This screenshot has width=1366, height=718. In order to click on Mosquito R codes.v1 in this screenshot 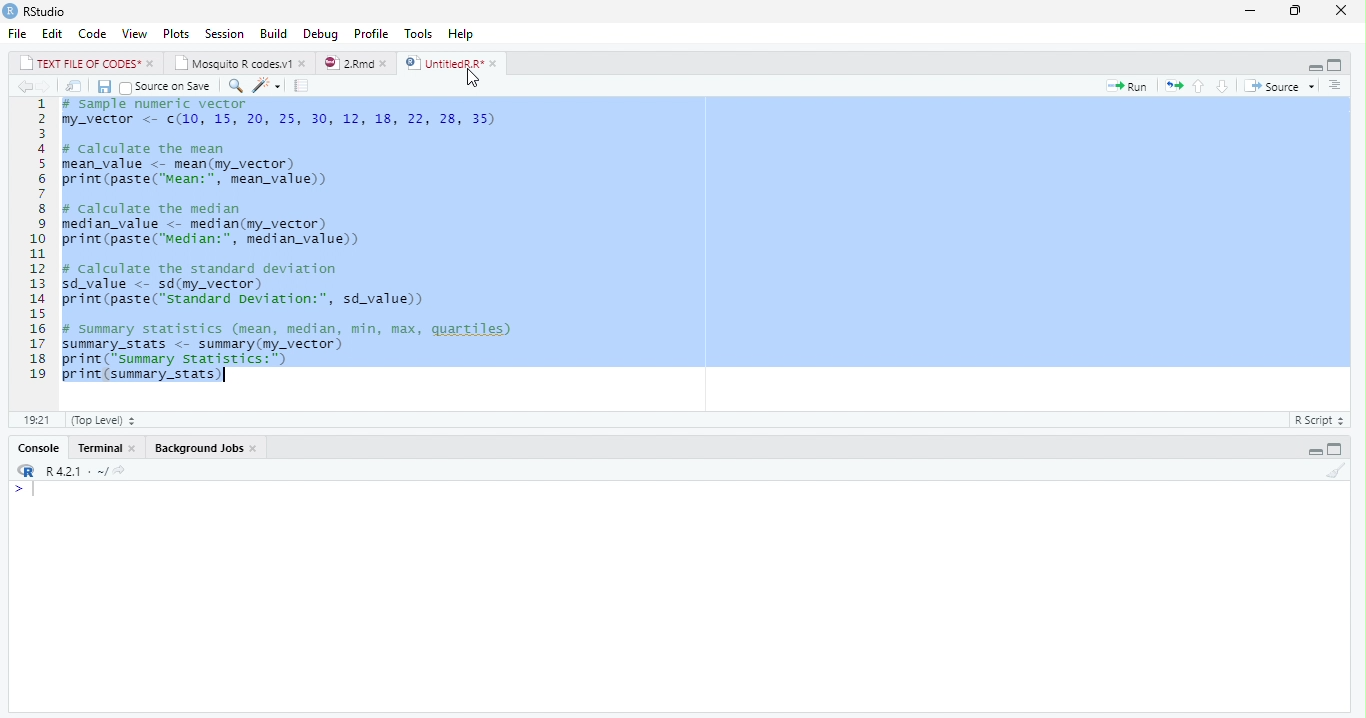, I will do `click(235, 64)`.